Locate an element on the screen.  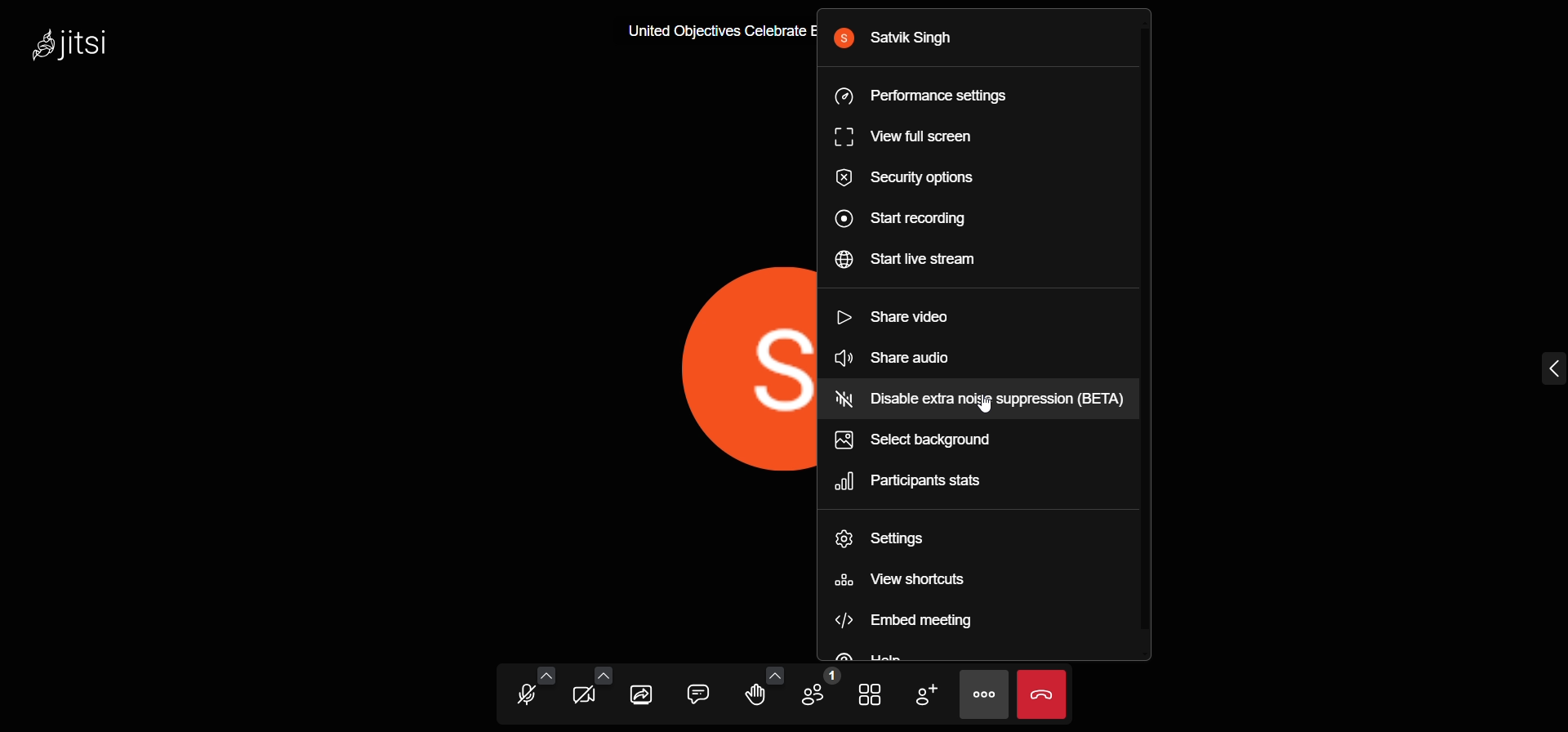
United Objectives Celebrate is located at coordinates (712, 31).